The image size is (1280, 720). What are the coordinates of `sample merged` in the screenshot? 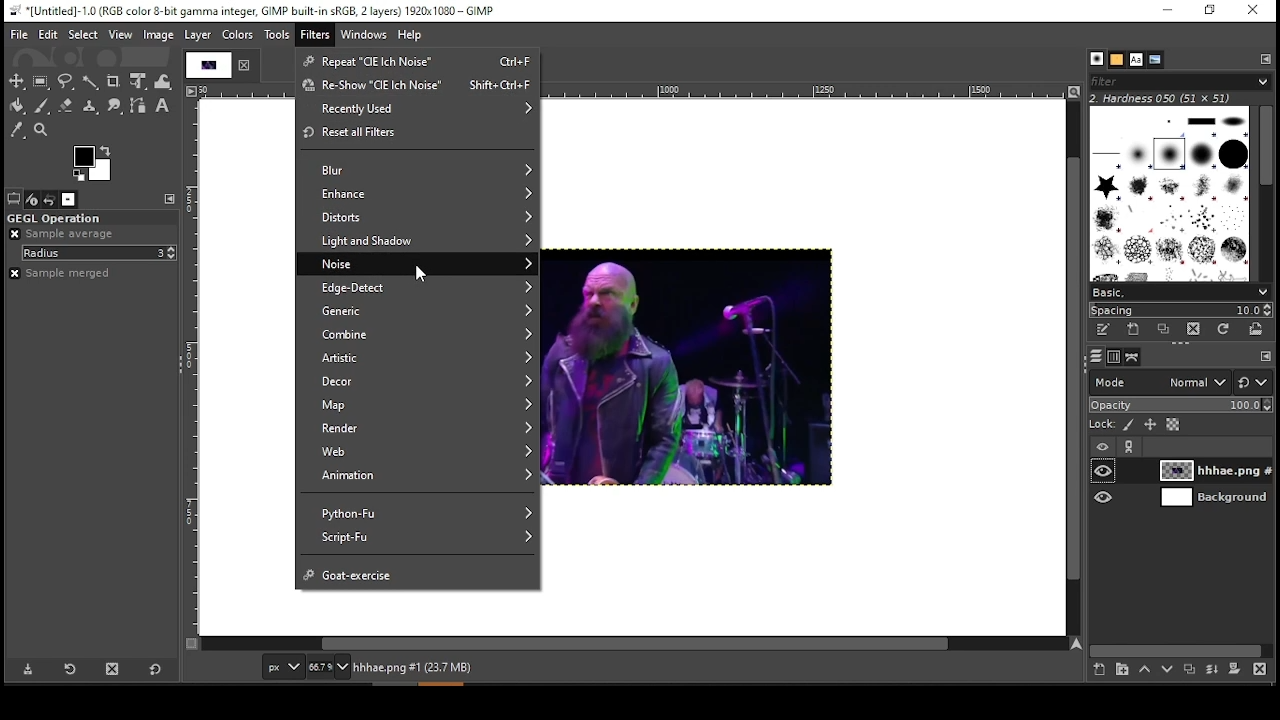 It's located at (65, 273).